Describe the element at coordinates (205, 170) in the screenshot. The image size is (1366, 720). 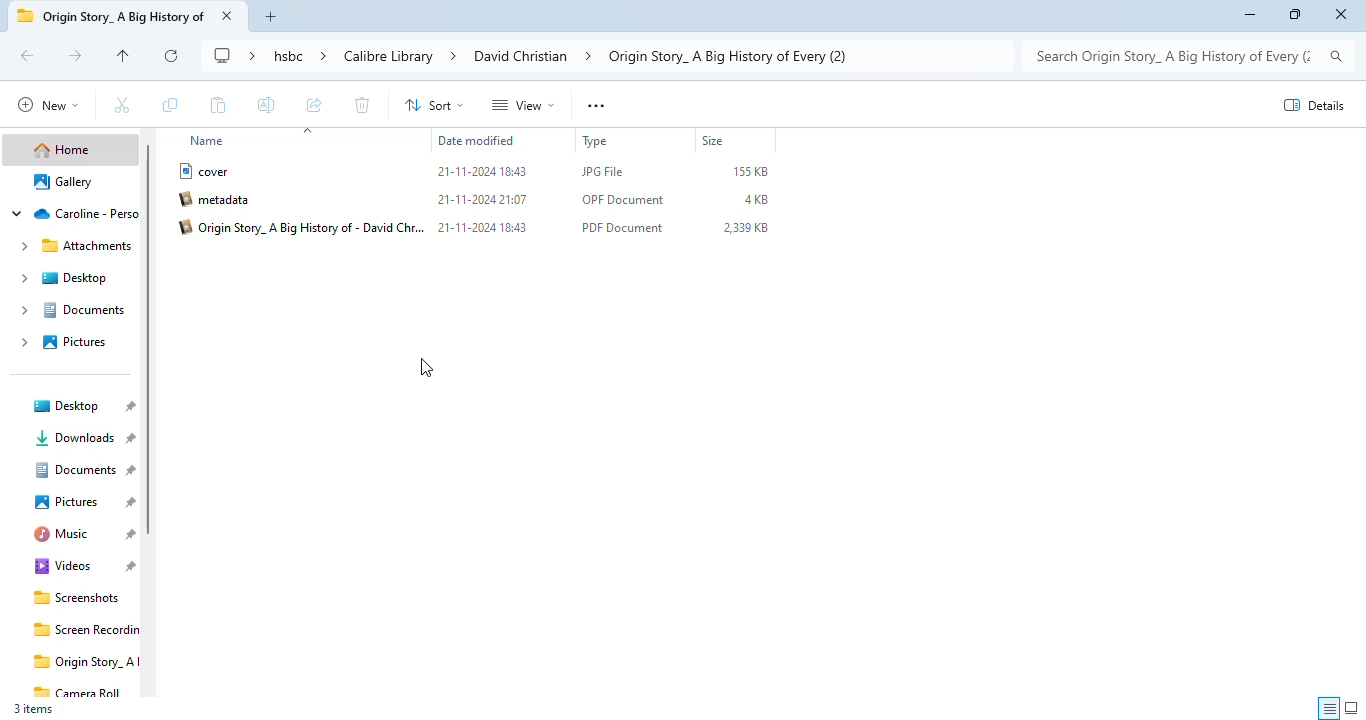
I see `cover` at that location.